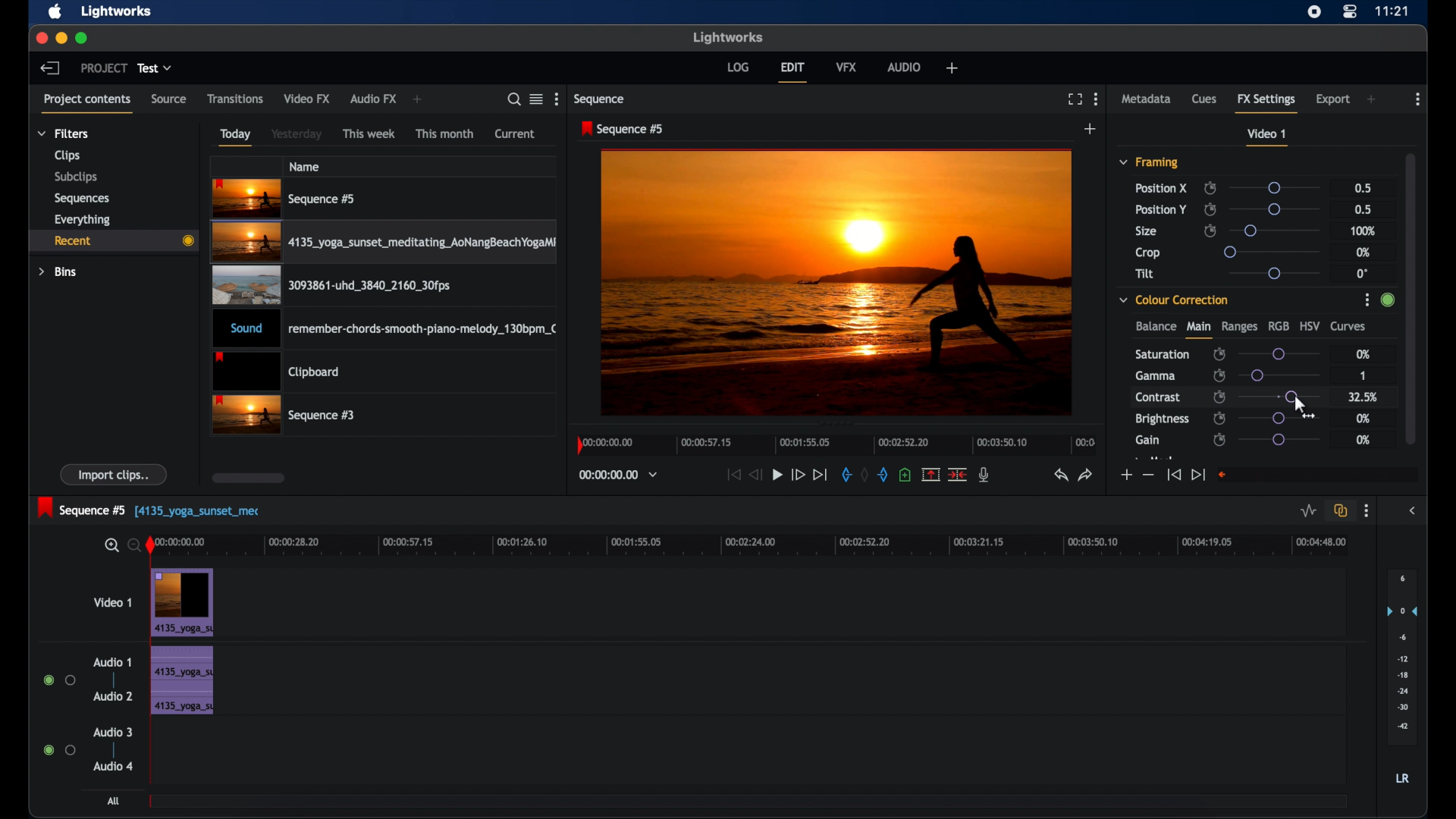  I want to click on timecodesand reels, so click(619, 475).